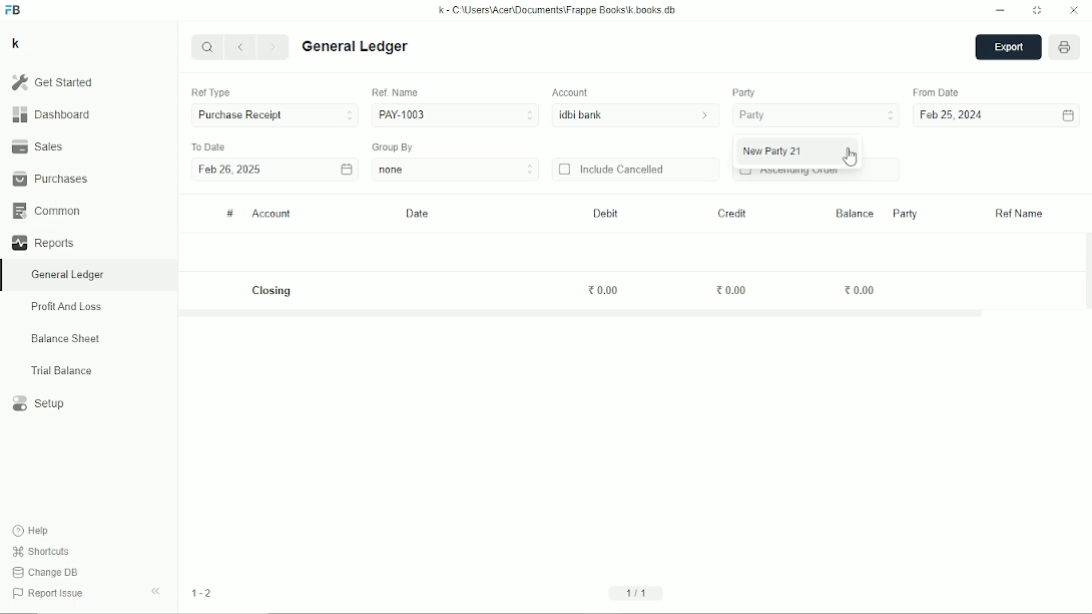 This screenshot has height=614, width=1092. I want to click on Reports, so click(42, 243).